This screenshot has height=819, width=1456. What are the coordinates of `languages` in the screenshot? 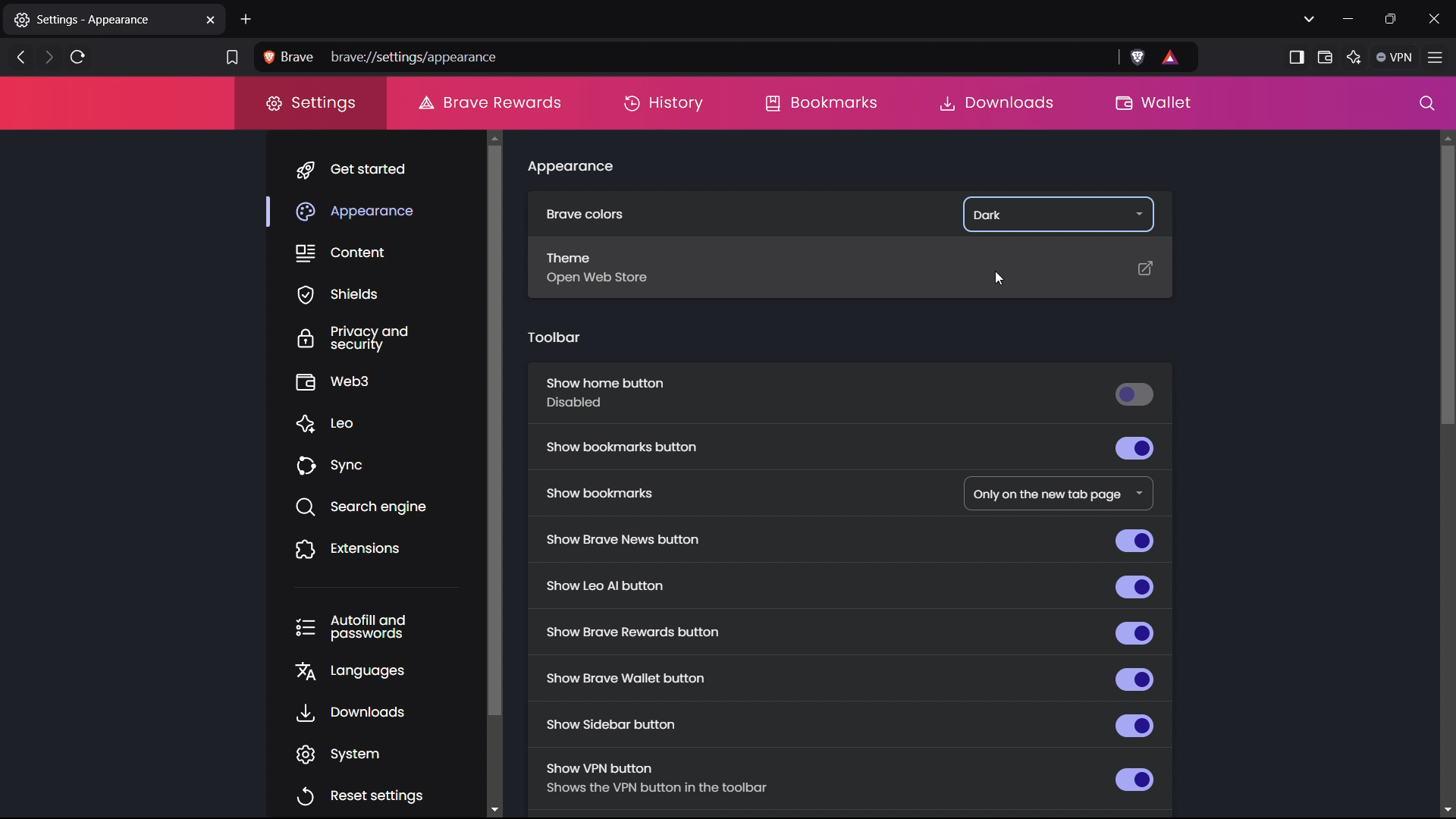 It's located at (385, 667).